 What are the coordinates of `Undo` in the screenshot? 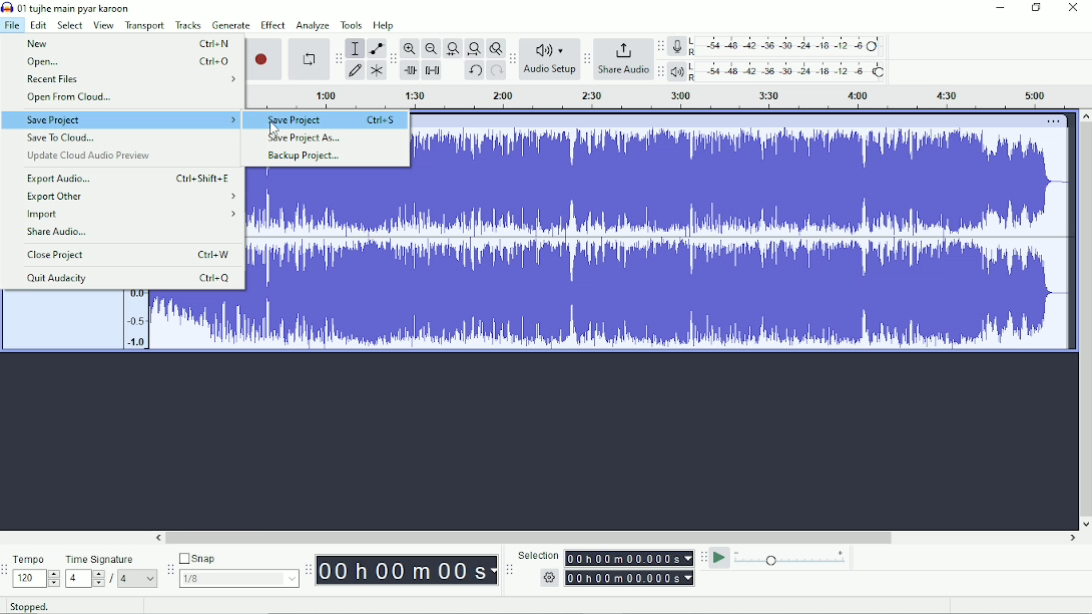 It's located at (475, 71).